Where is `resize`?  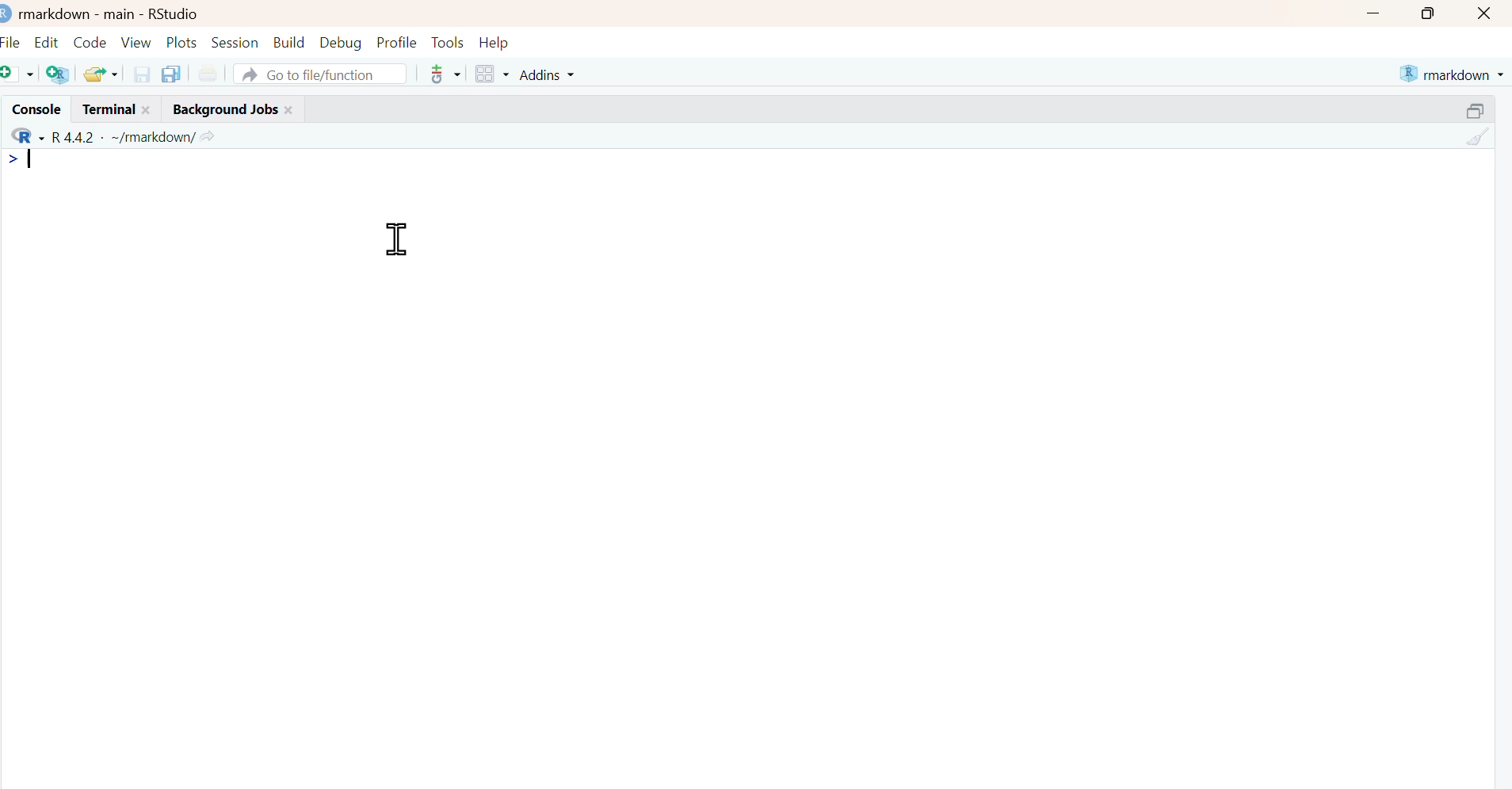
resize is located at coordinates (1480, 108).